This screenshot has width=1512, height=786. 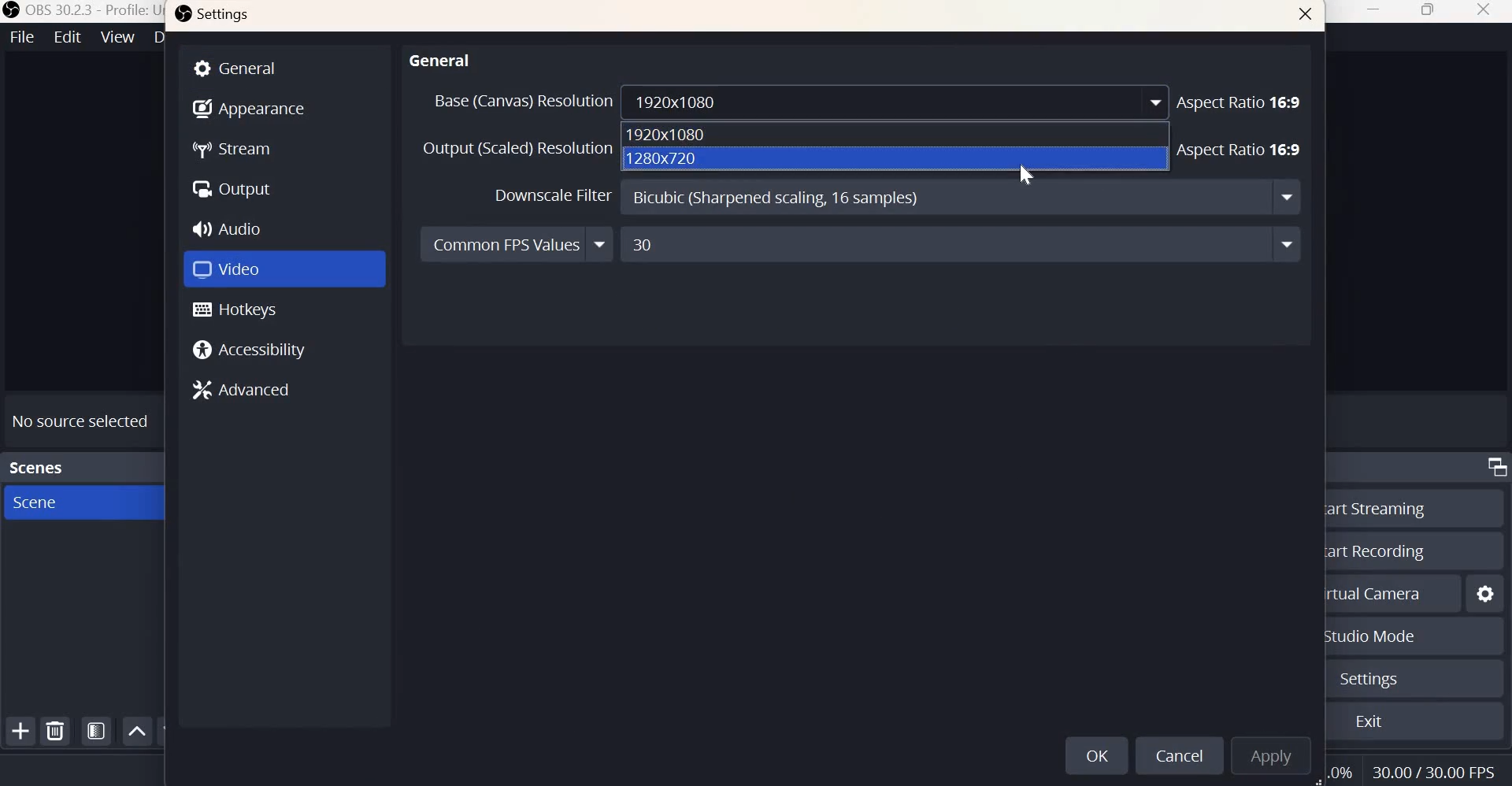 I want to click on Aspect Ratio 16:9, so click(x=1240, y=150).